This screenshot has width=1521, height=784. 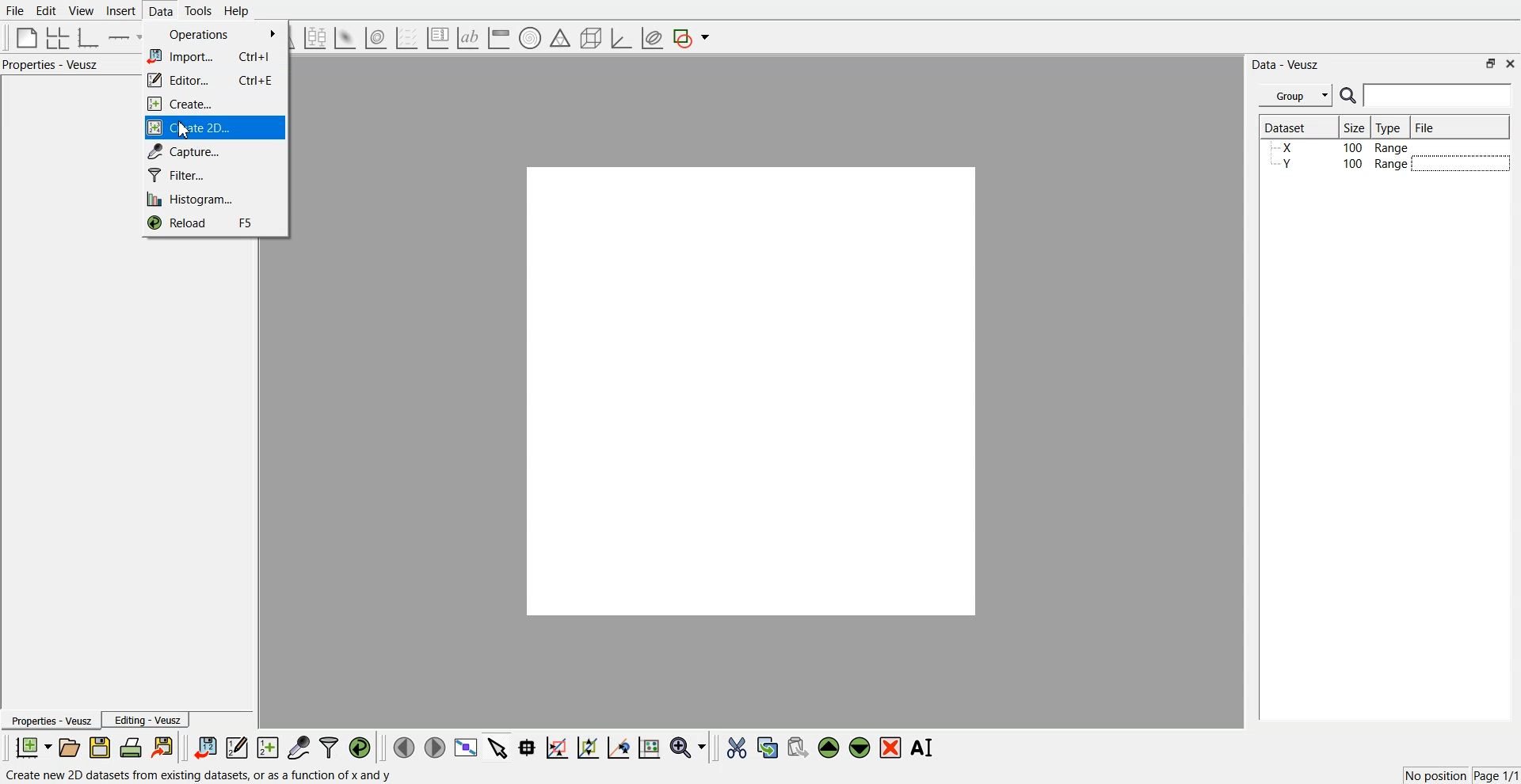 What do you see at coordinates (588, 747) in the screenshot?
I see `Zoom out of the graph axes` at bounding box center [588, 747].